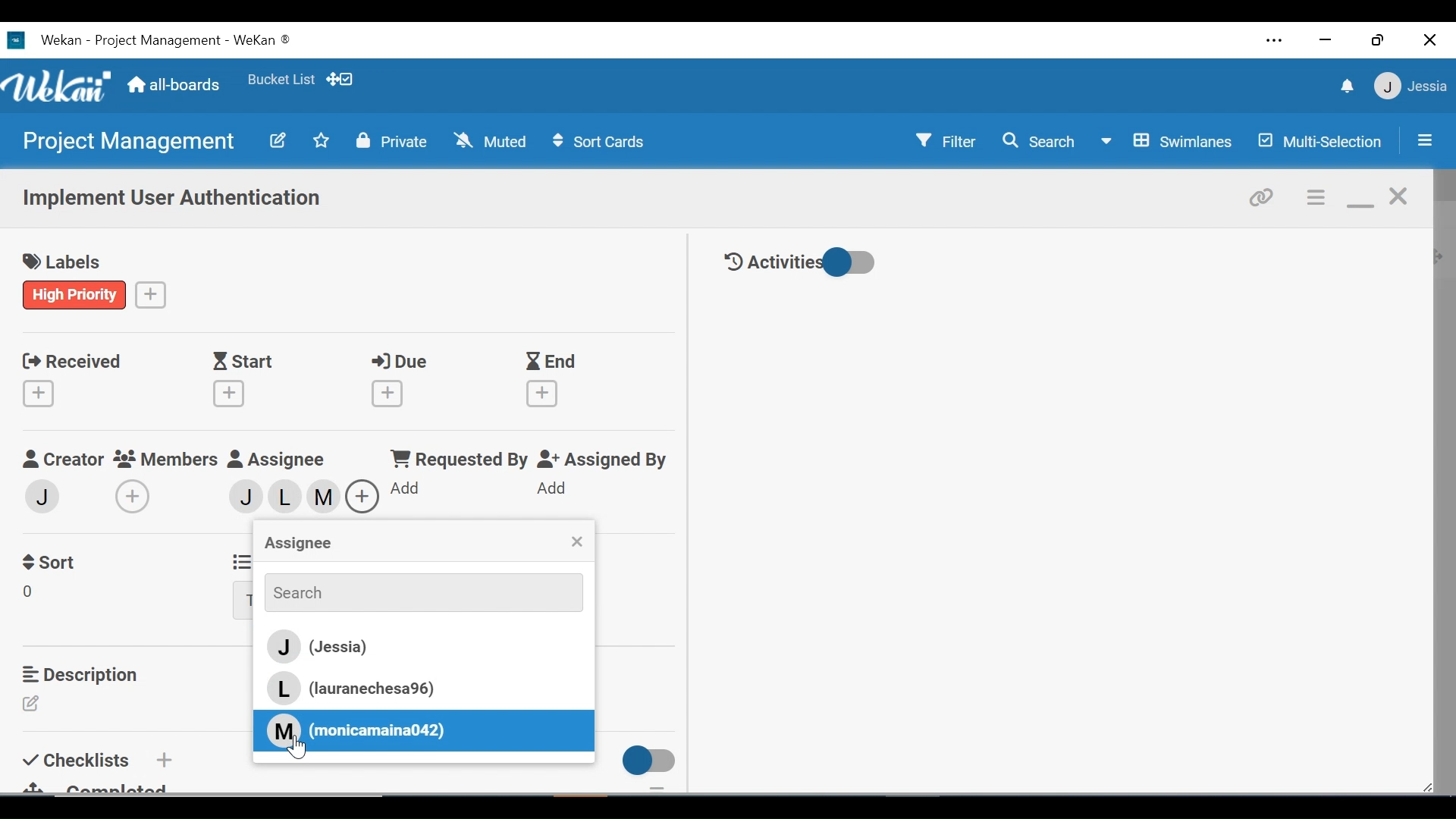 The width and height of the screenshot is (1456, 819). What do you see at coordinates (800, 263) in the screenshot?
I see `Toggle Activities on/off` at bounding box center [800, 263].